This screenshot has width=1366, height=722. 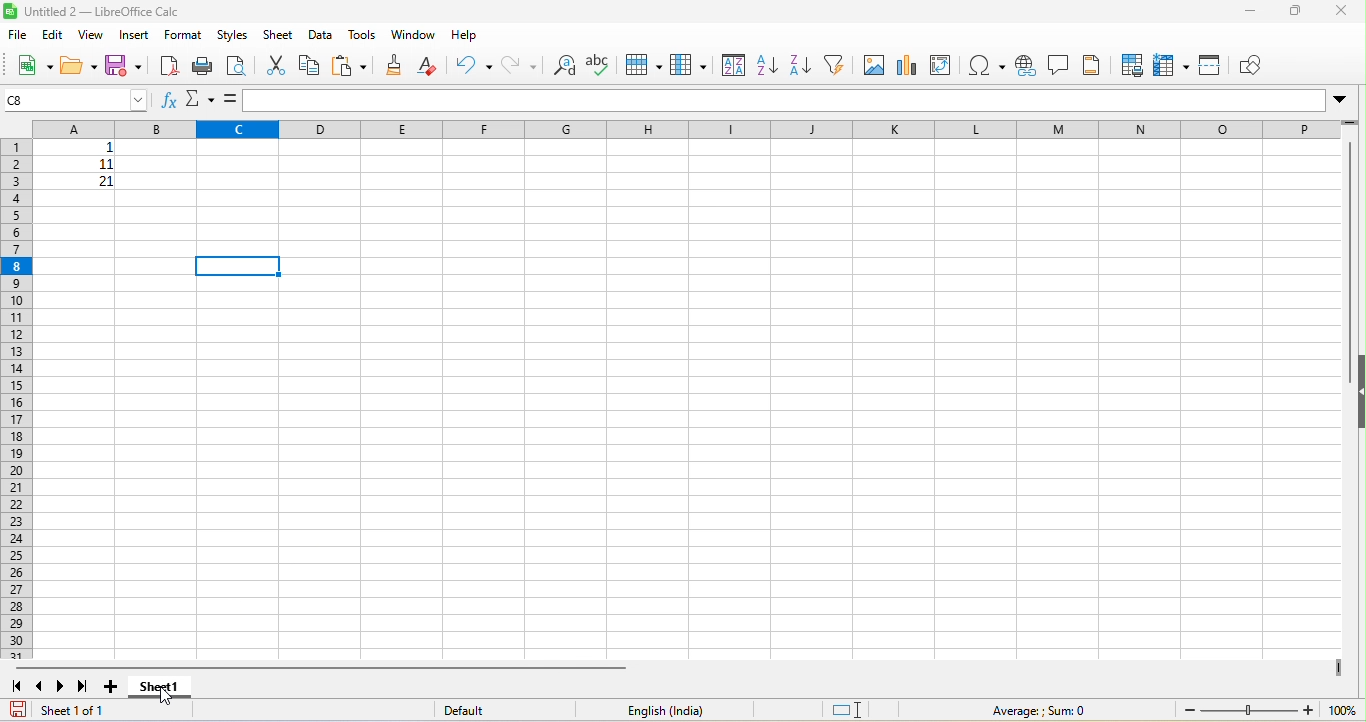 What do you see at coordinates (95, 12) in the screenshot?
I see `title` at bounding box center [95, 12].